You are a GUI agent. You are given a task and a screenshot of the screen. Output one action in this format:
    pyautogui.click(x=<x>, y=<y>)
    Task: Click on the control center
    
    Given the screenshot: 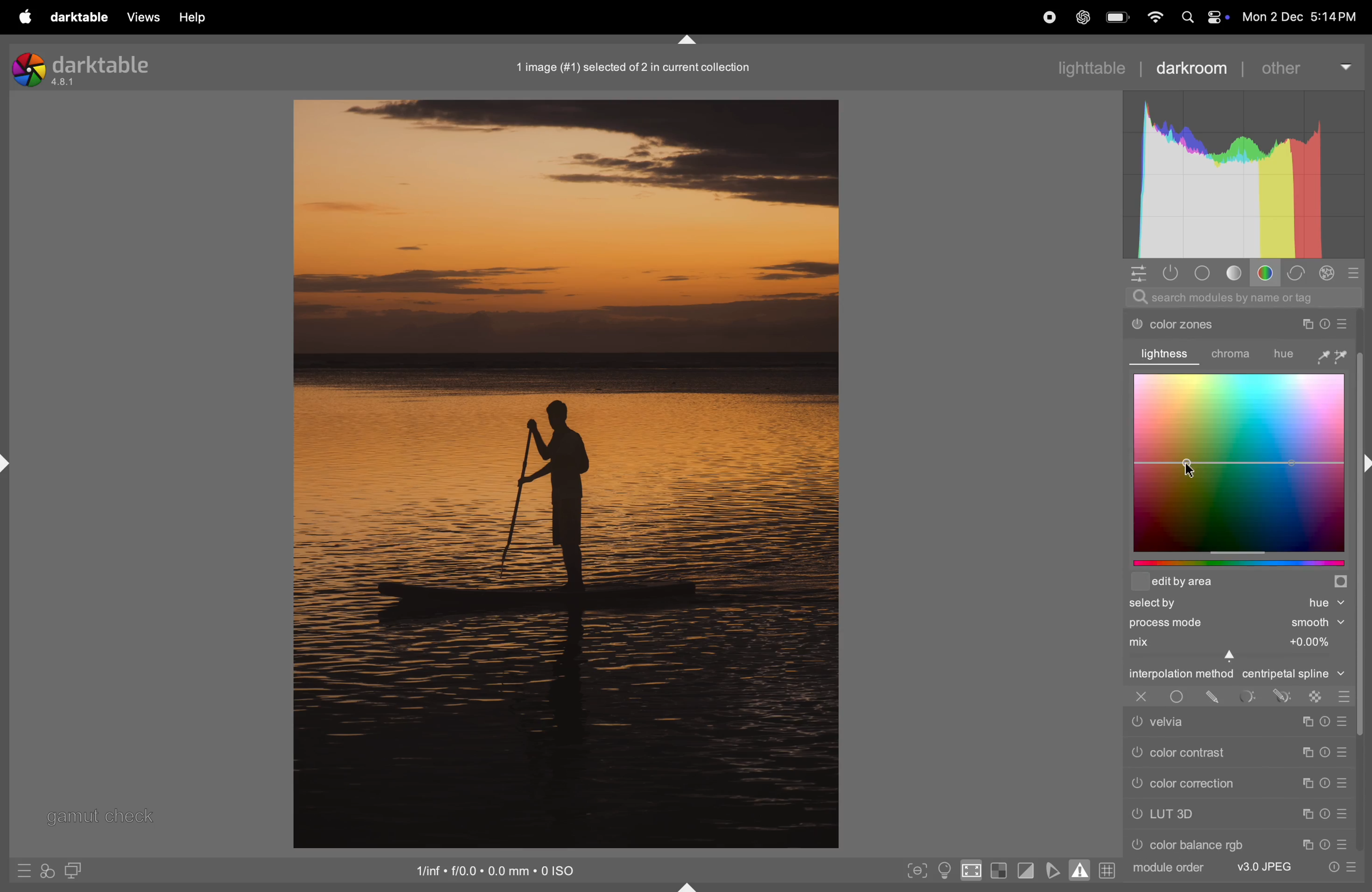 What is the action you would take?
    pyautogui.click(x=1219, y=17)
    